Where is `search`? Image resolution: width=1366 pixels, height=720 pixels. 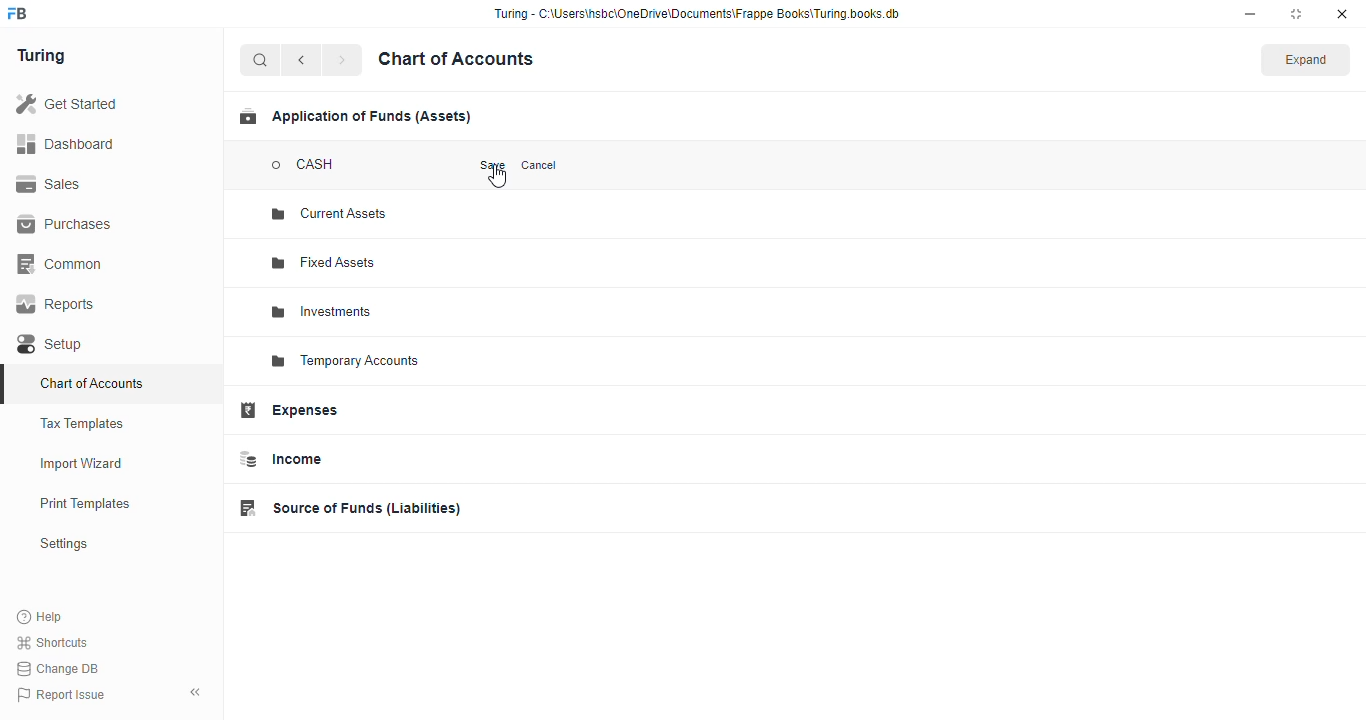 search is located at coordinates (261, 60).